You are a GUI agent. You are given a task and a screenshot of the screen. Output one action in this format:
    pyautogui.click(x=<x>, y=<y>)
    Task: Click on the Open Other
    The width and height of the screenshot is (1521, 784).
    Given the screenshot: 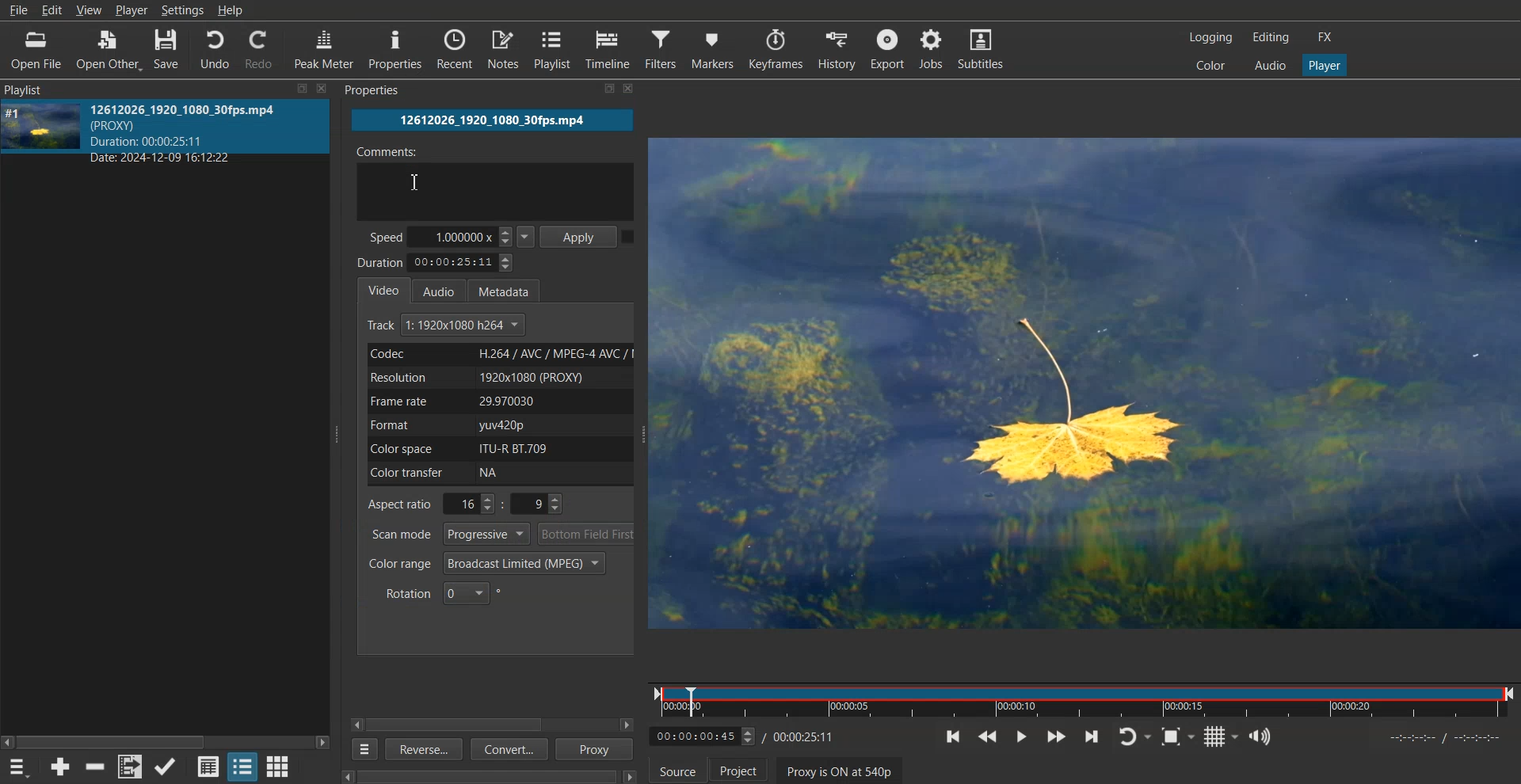 What is the action you would take?
    pyautogui.click(x=107, y=49)
    